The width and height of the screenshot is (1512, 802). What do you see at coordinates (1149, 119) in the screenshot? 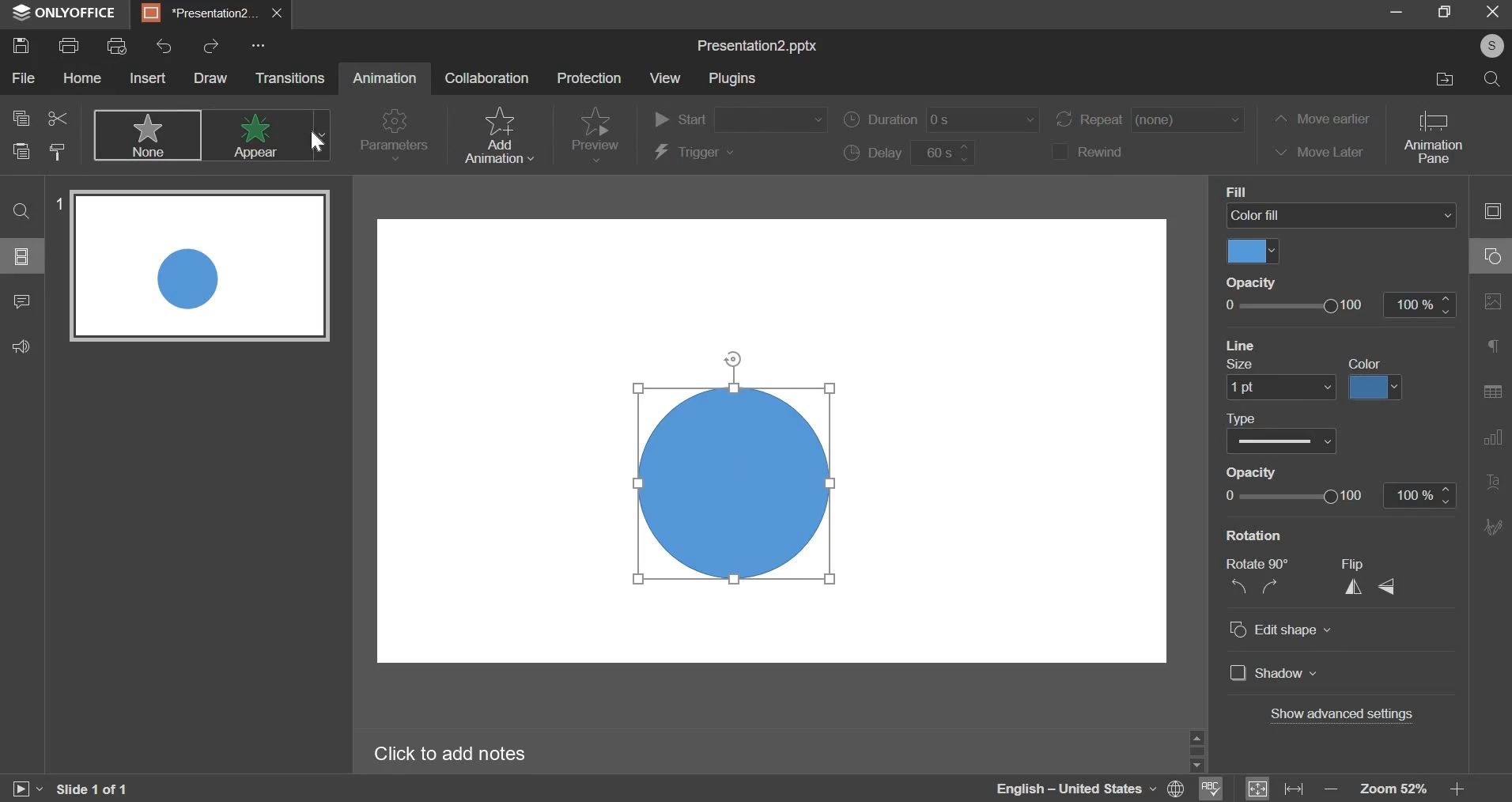
I see `repeat` at bounding box center [1149, 119].